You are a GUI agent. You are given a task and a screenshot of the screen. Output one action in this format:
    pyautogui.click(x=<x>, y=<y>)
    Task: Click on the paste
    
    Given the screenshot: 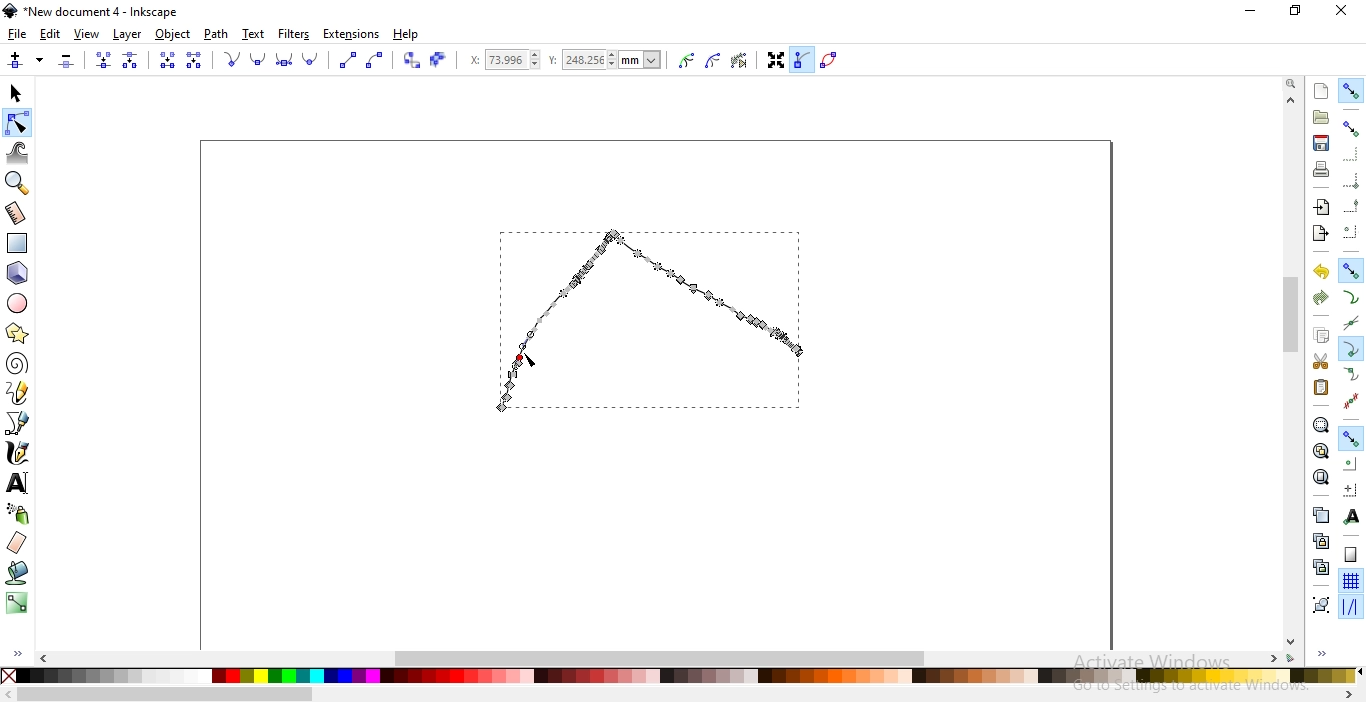 What is the action you would take?
    pyautogui.click(x=1320, y=387)
    